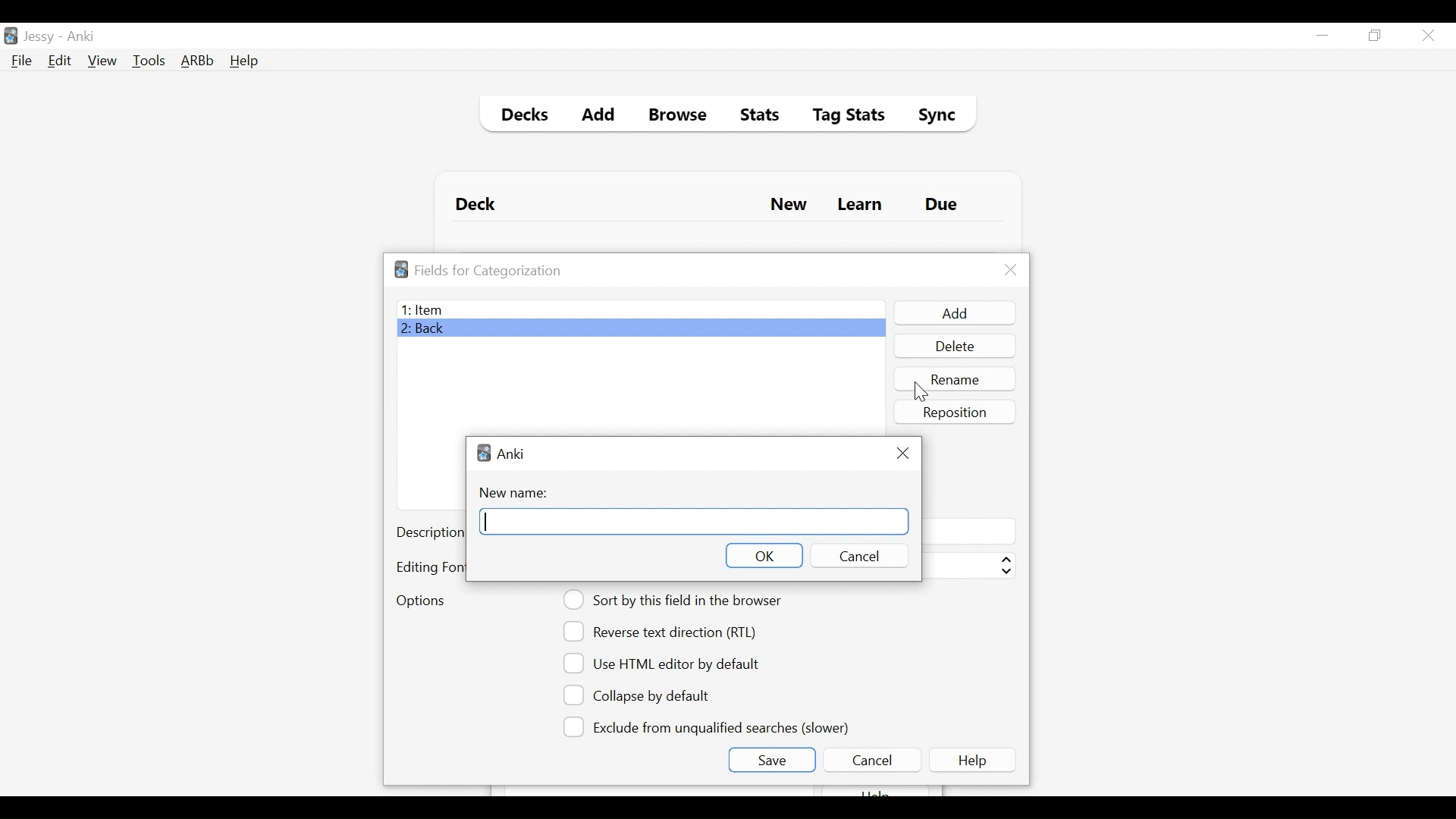  What do you see at coordinates (953, 313) in the screenshot?
I see `Add` at bounding box center [953, 313].